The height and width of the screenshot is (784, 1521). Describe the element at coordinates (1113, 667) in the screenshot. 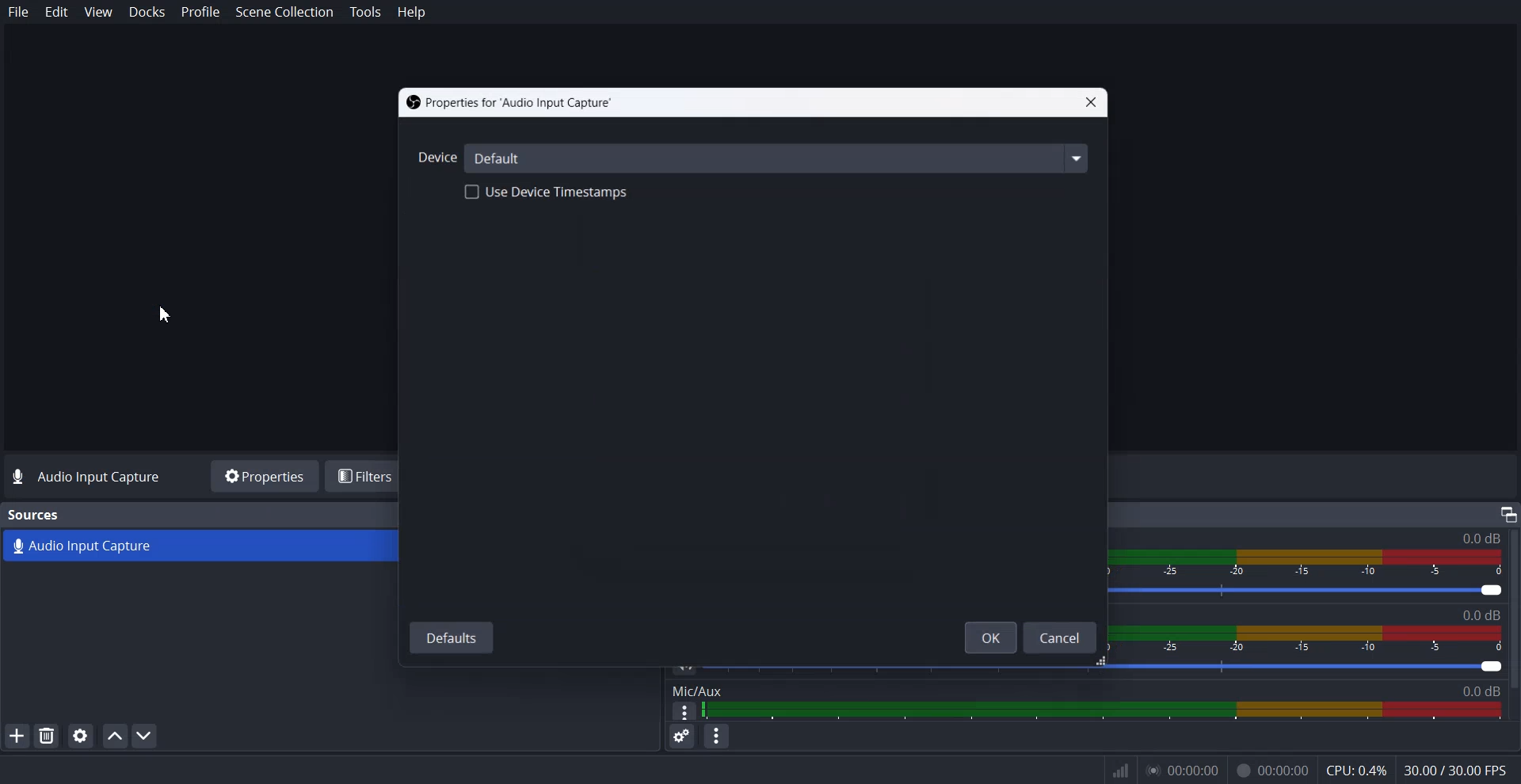

I see `Volume level adjuster` at that location.